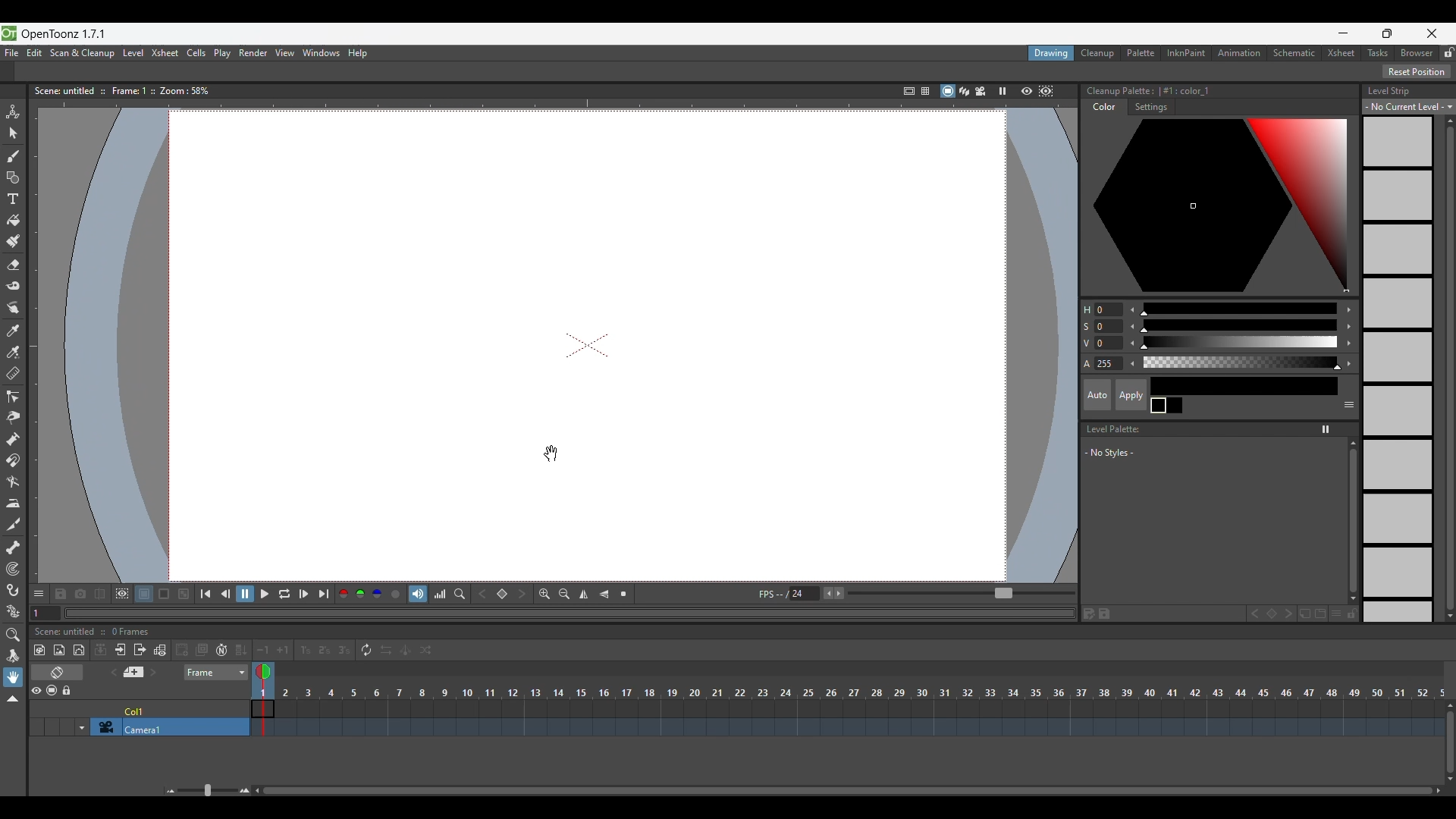 The image size is (1456, 819). What do you see at coordinates (64, 34) in the screenshot?
I see `OpenToonz version` at bounding box center [64, 34].